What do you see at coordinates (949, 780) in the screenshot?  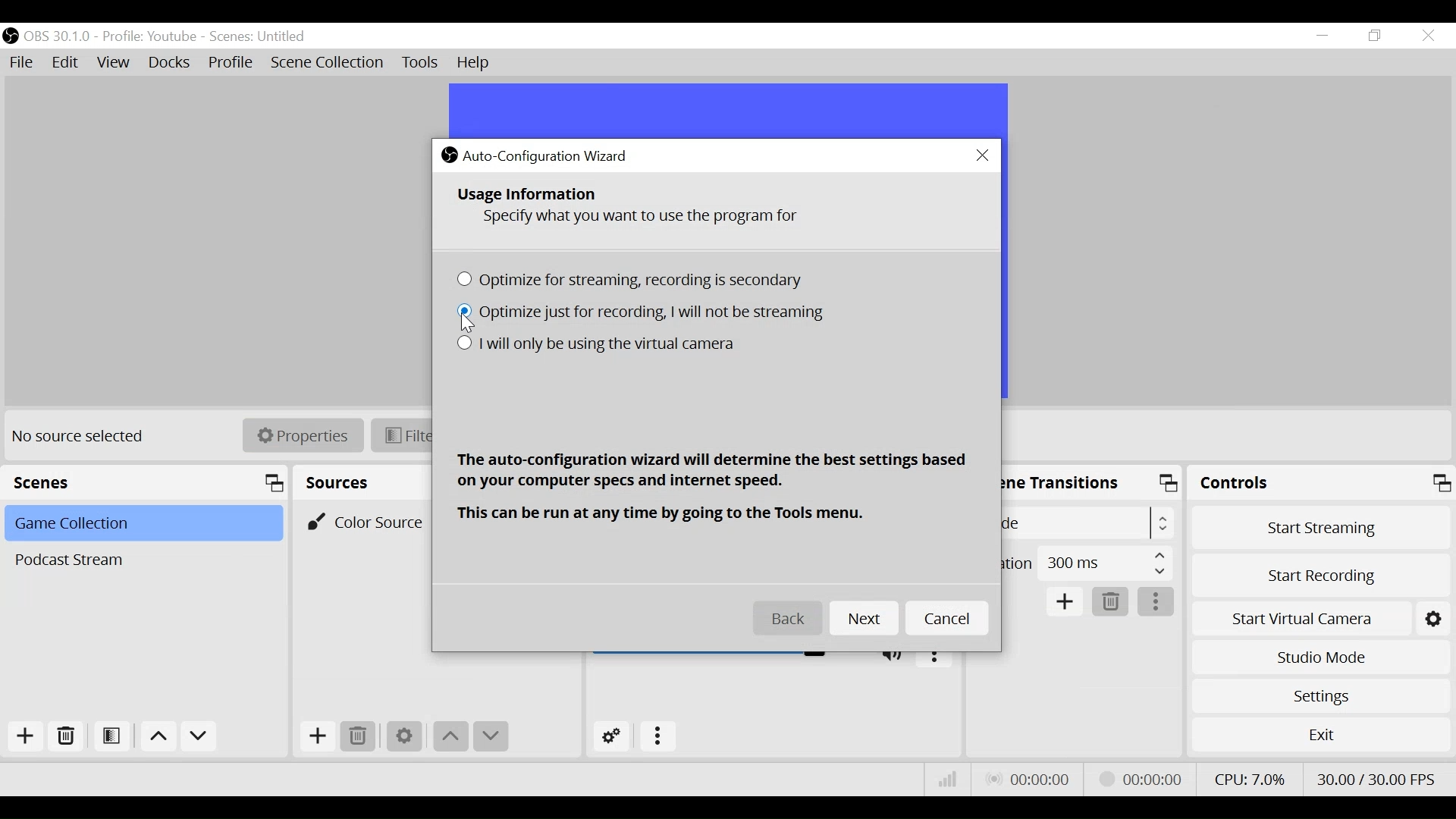 I see `Bitrate` at bounding box center [949, 780].